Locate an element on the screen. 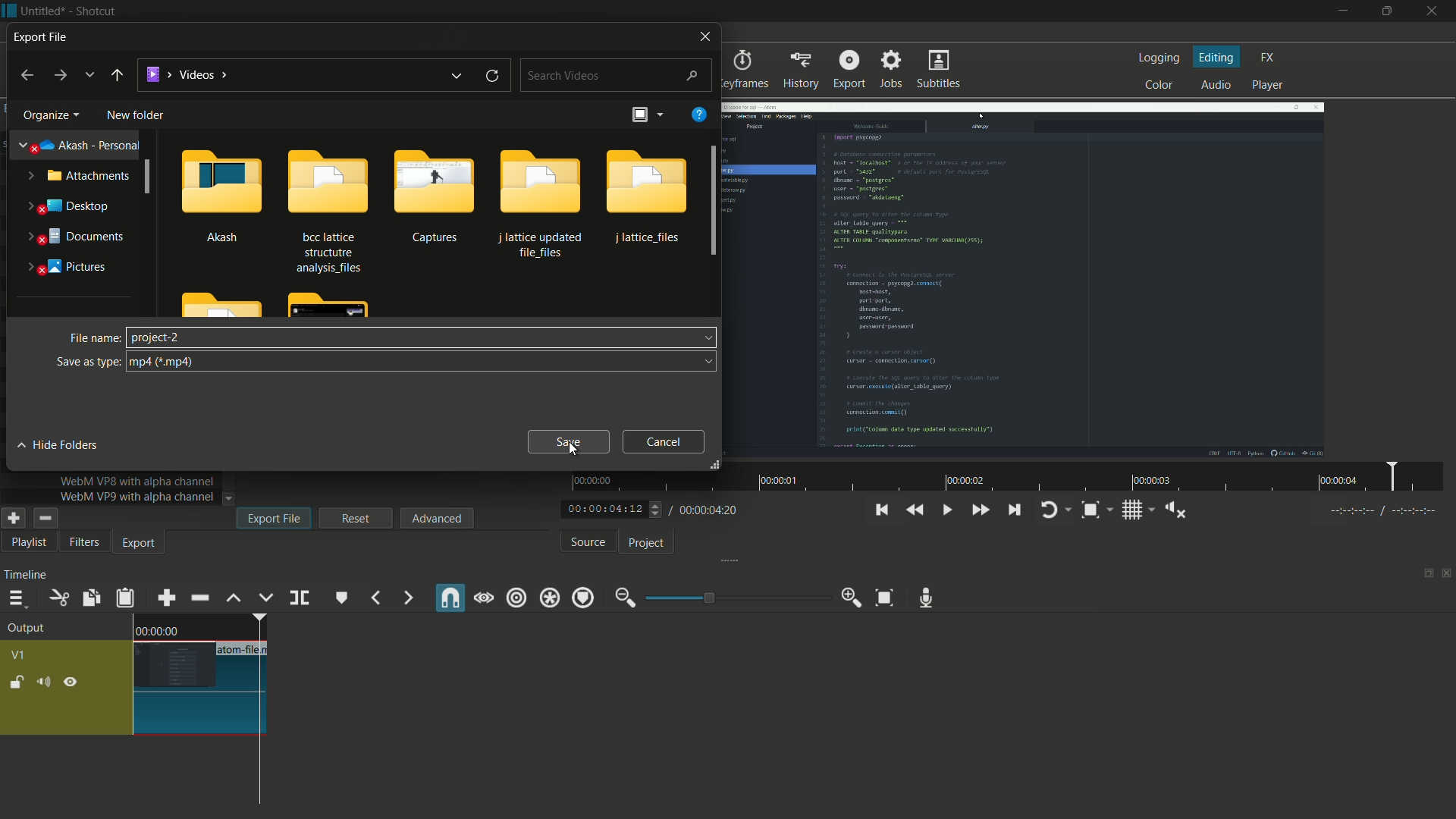 Image resolution: width=1456 pixels, height=819 pixels. project name is located at coordinates (43, 11).